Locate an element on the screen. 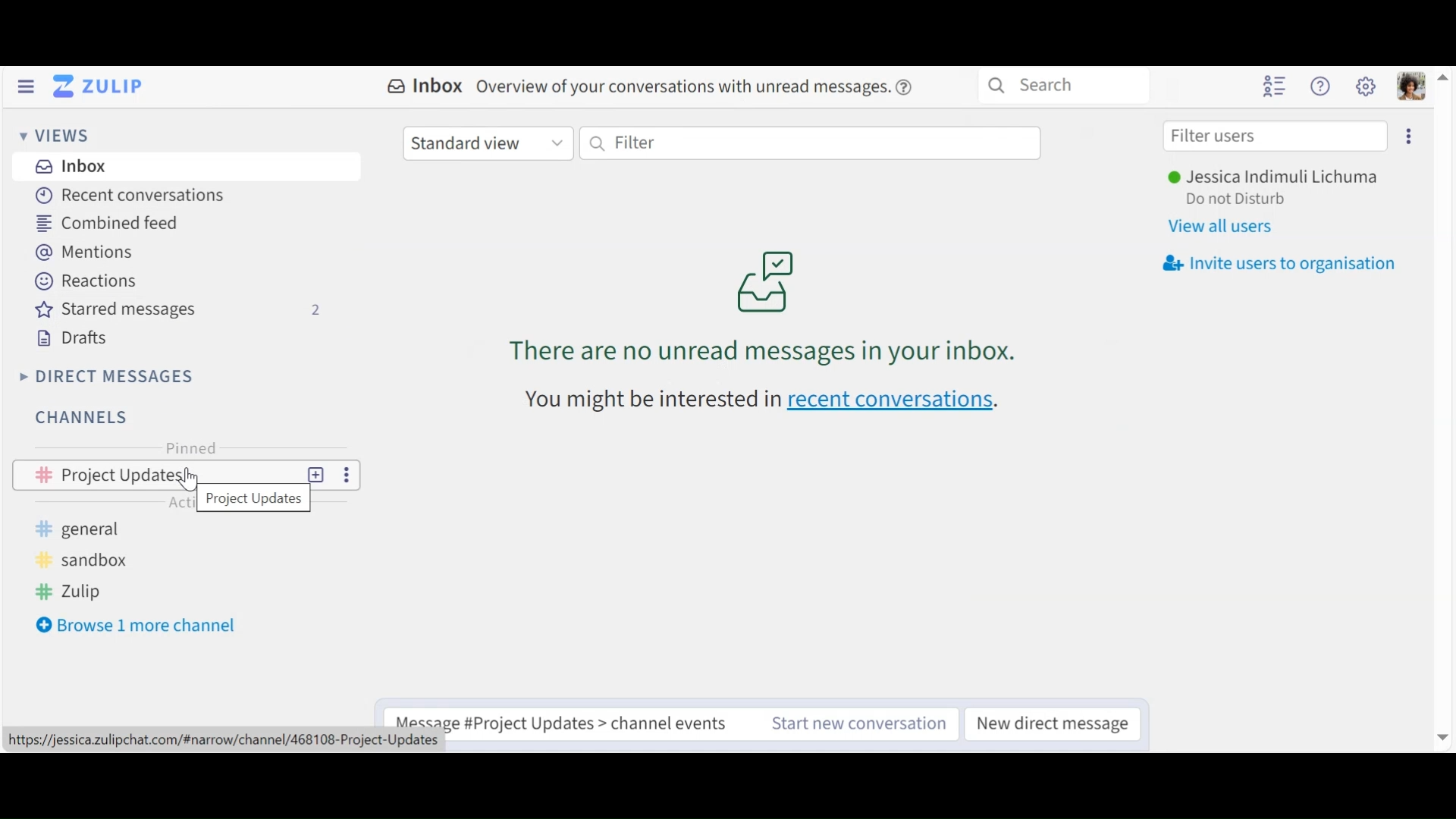 The height and width of the screenshot is (819, 1456). View all users is located at coordinates (1225, 226).